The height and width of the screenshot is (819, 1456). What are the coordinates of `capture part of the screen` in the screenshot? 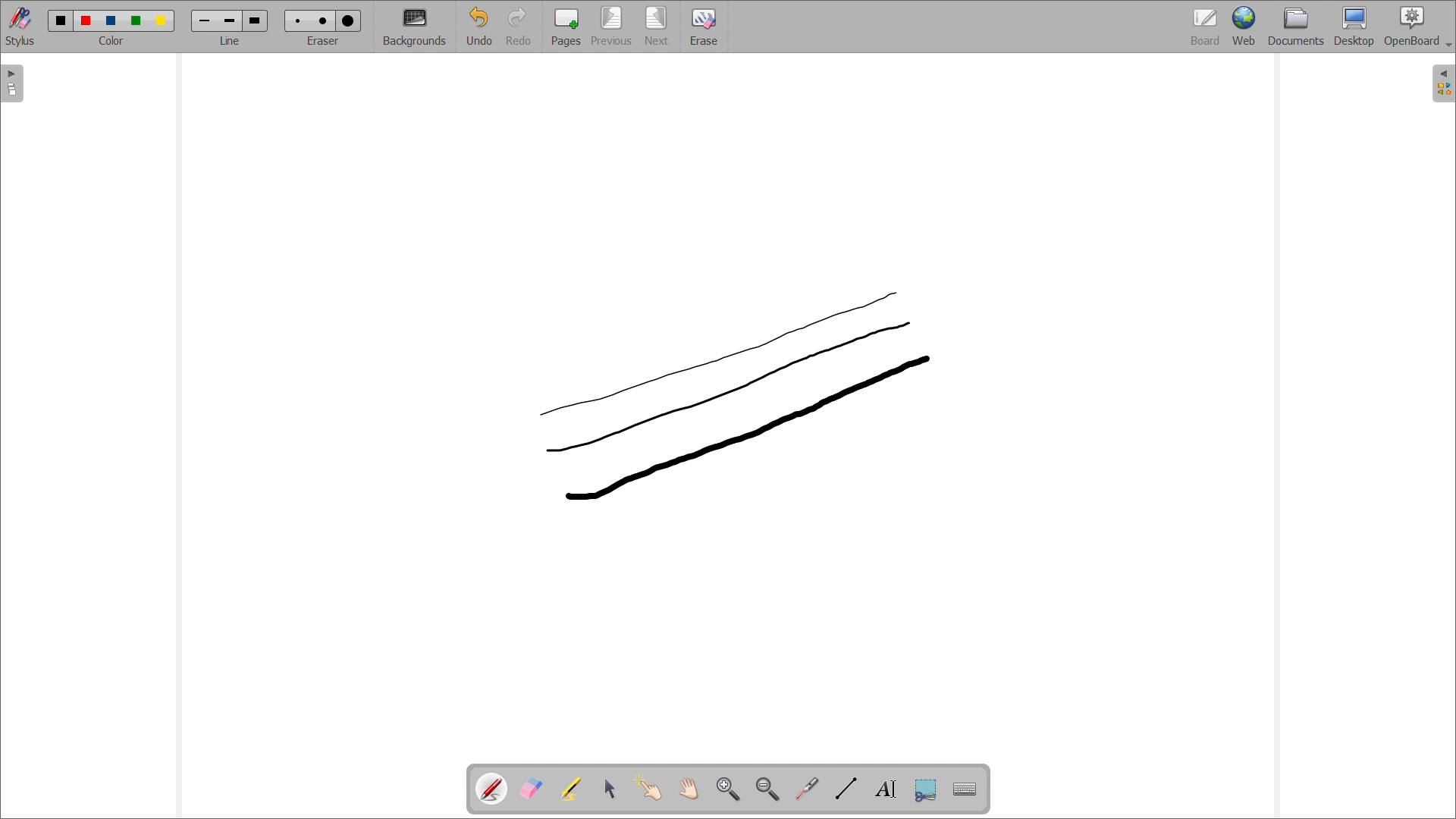 It's located at (926, 789).